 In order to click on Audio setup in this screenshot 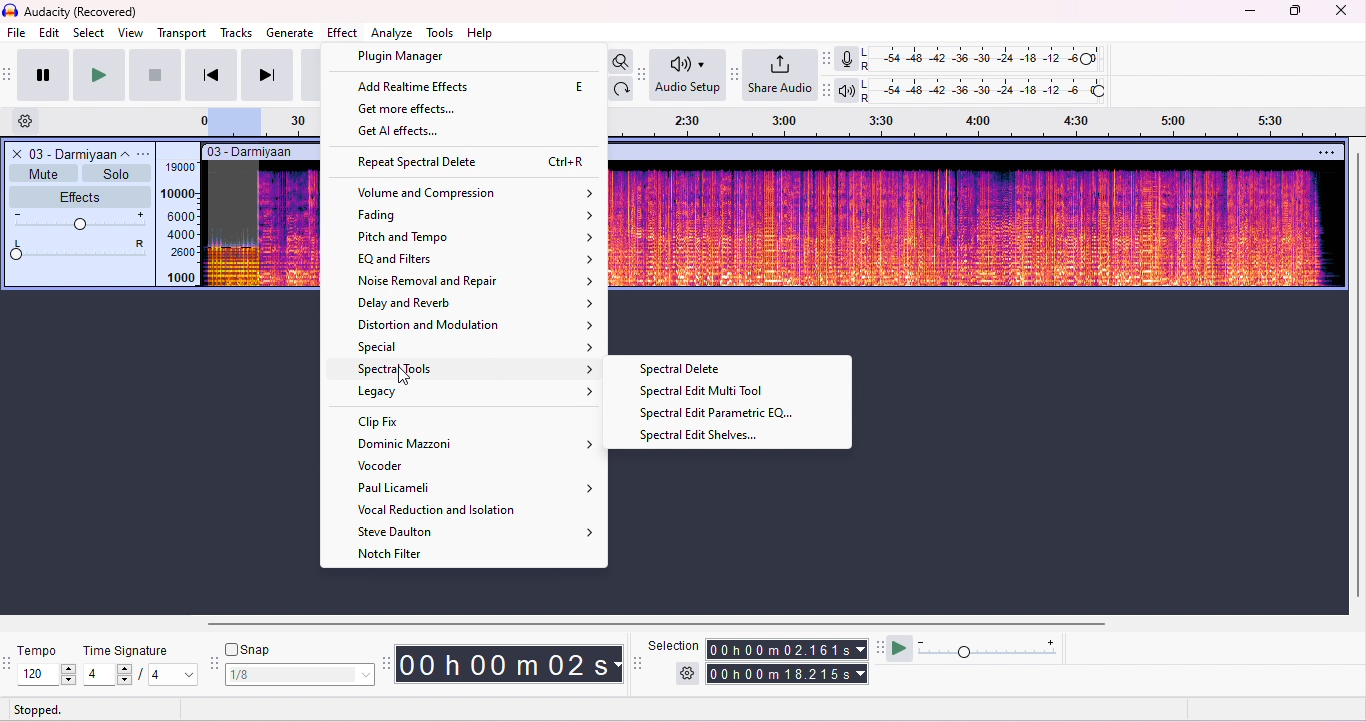, I will do `click(687, 75)`.